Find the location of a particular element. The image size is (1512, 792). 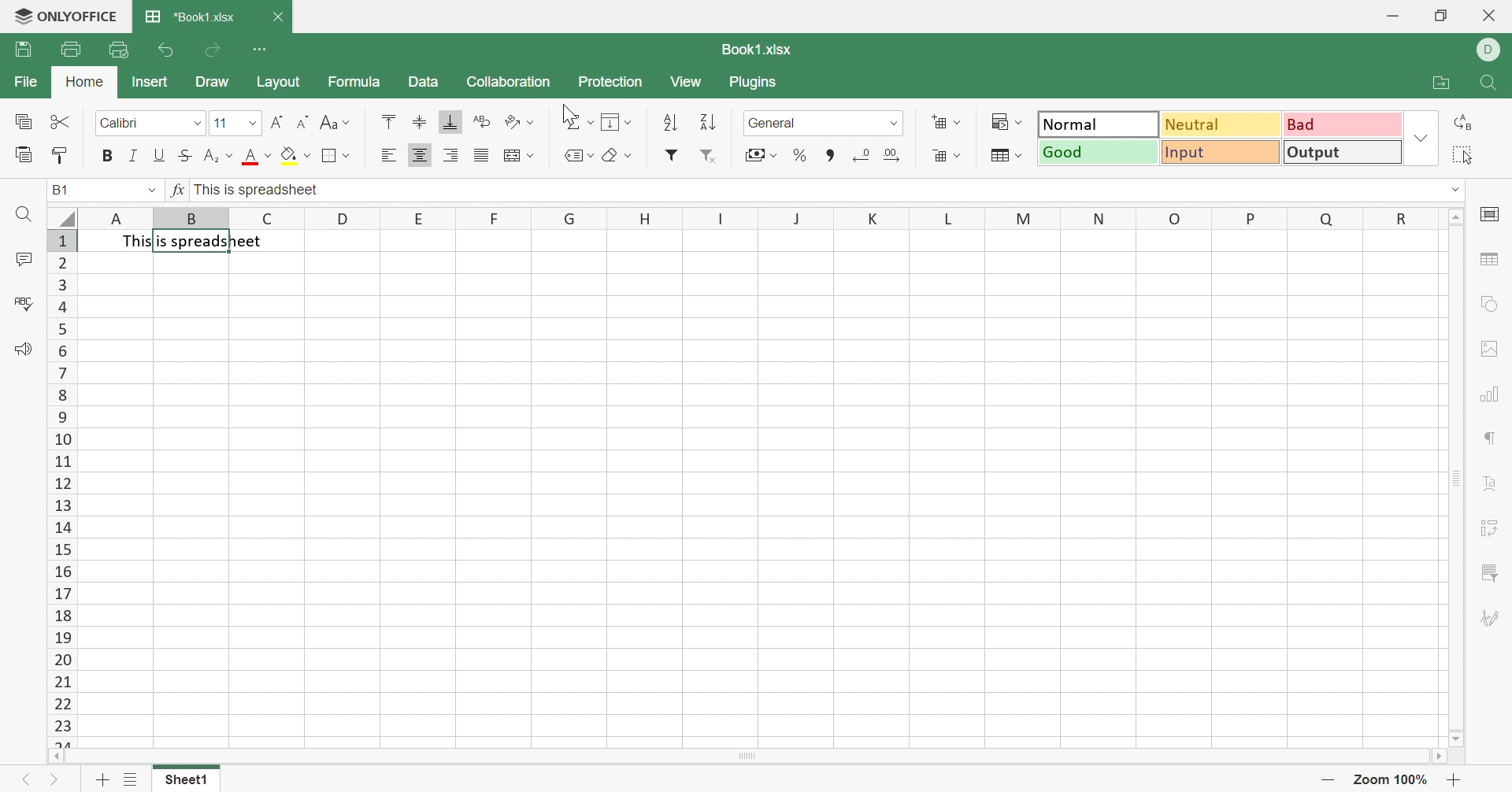

Scroll Bar is located at coordinates (1455, 476).